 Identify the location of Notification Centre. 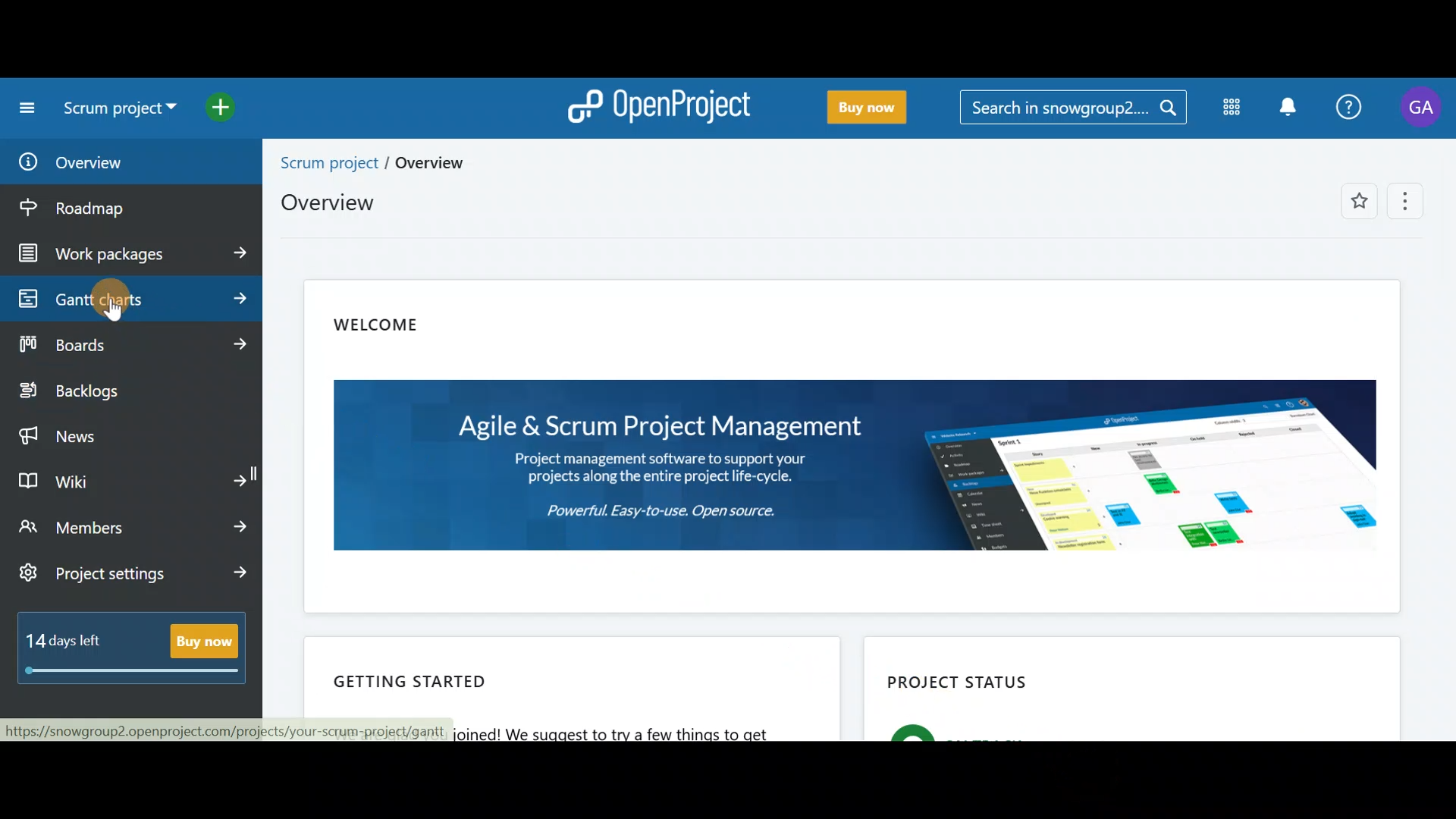
(1289, 107).